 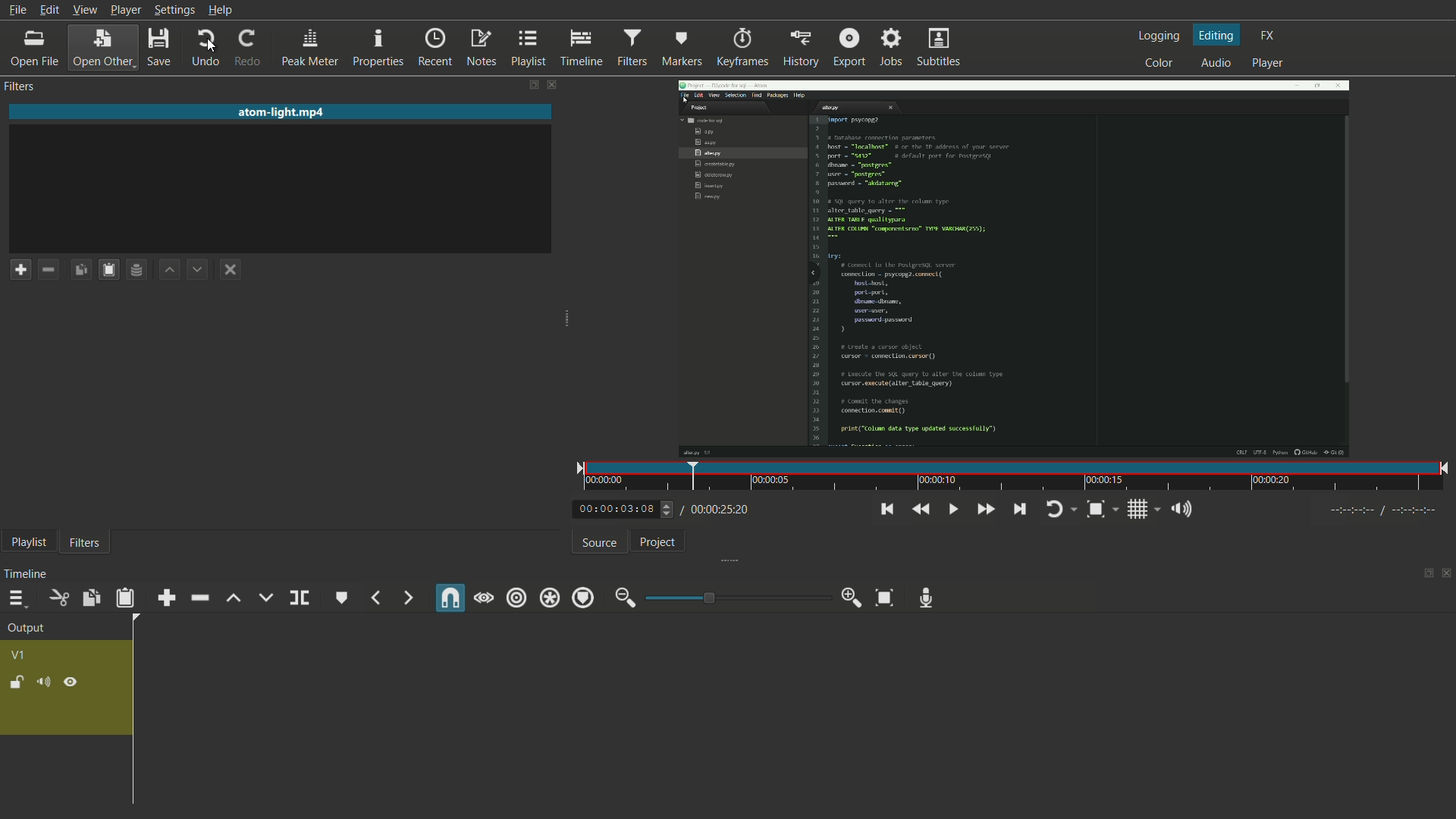 I want to click on source, so click(x=600, y=544).